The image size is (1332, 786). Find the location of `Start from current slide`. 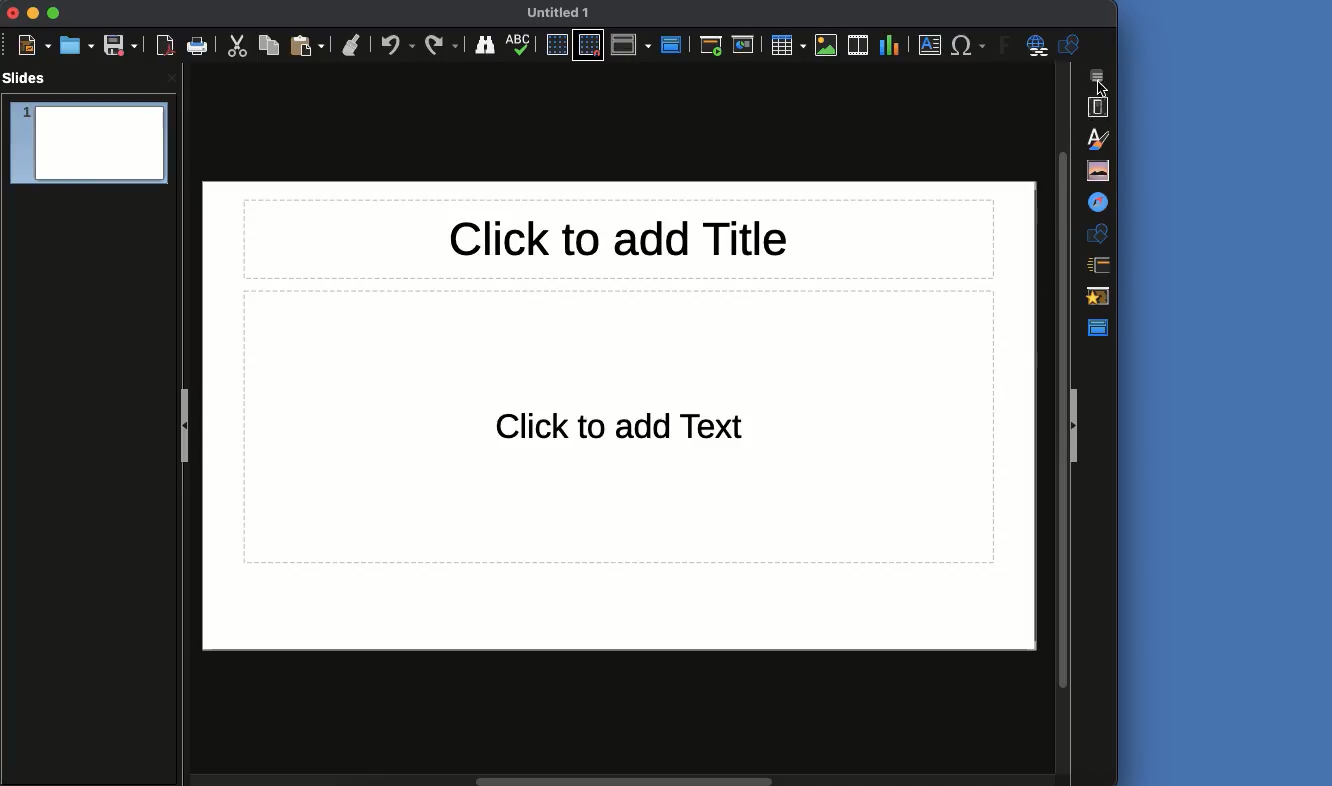

Start from current slide is located at coordinates (743, 44).